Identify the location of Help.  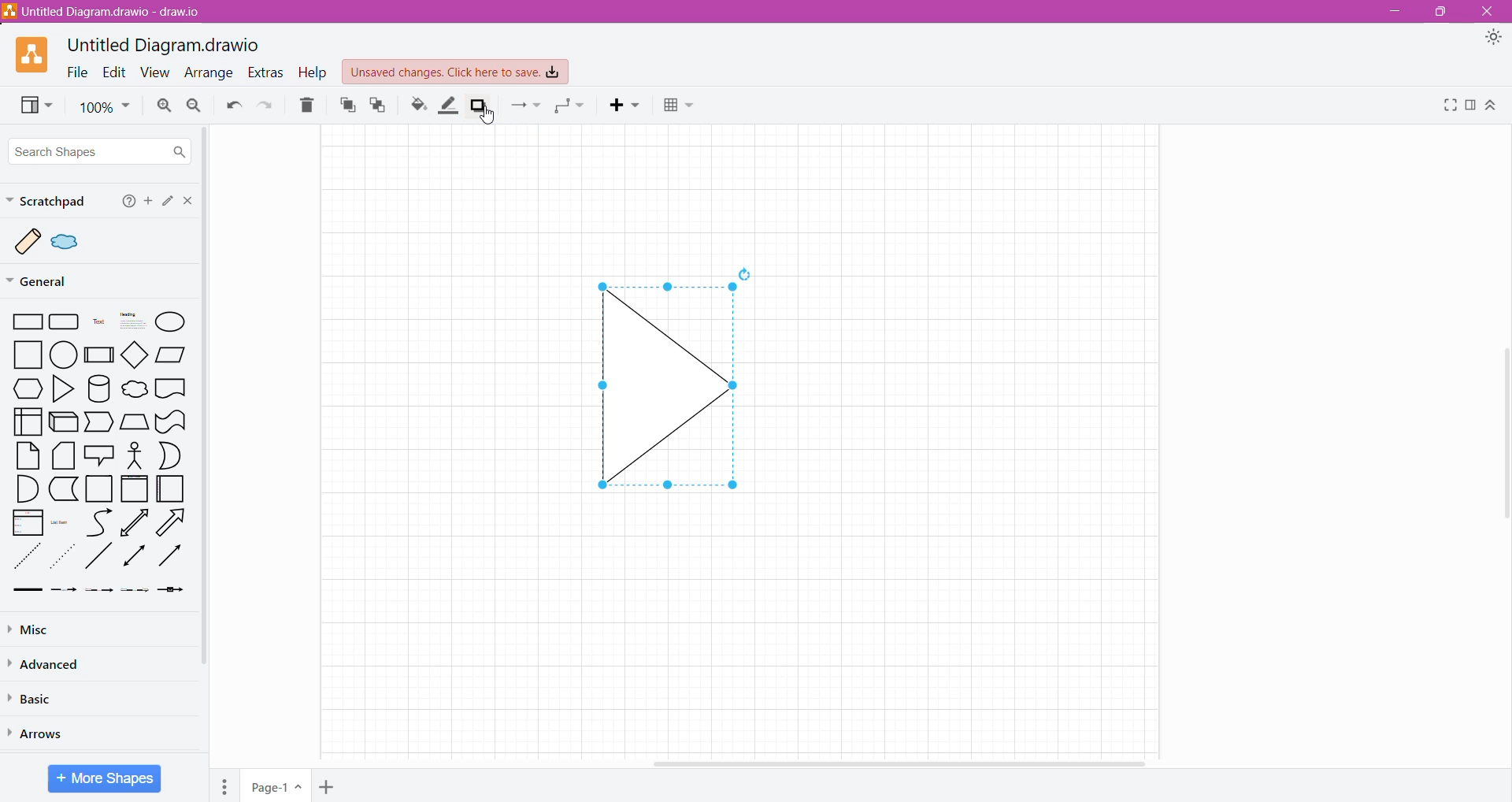
(129, 202).